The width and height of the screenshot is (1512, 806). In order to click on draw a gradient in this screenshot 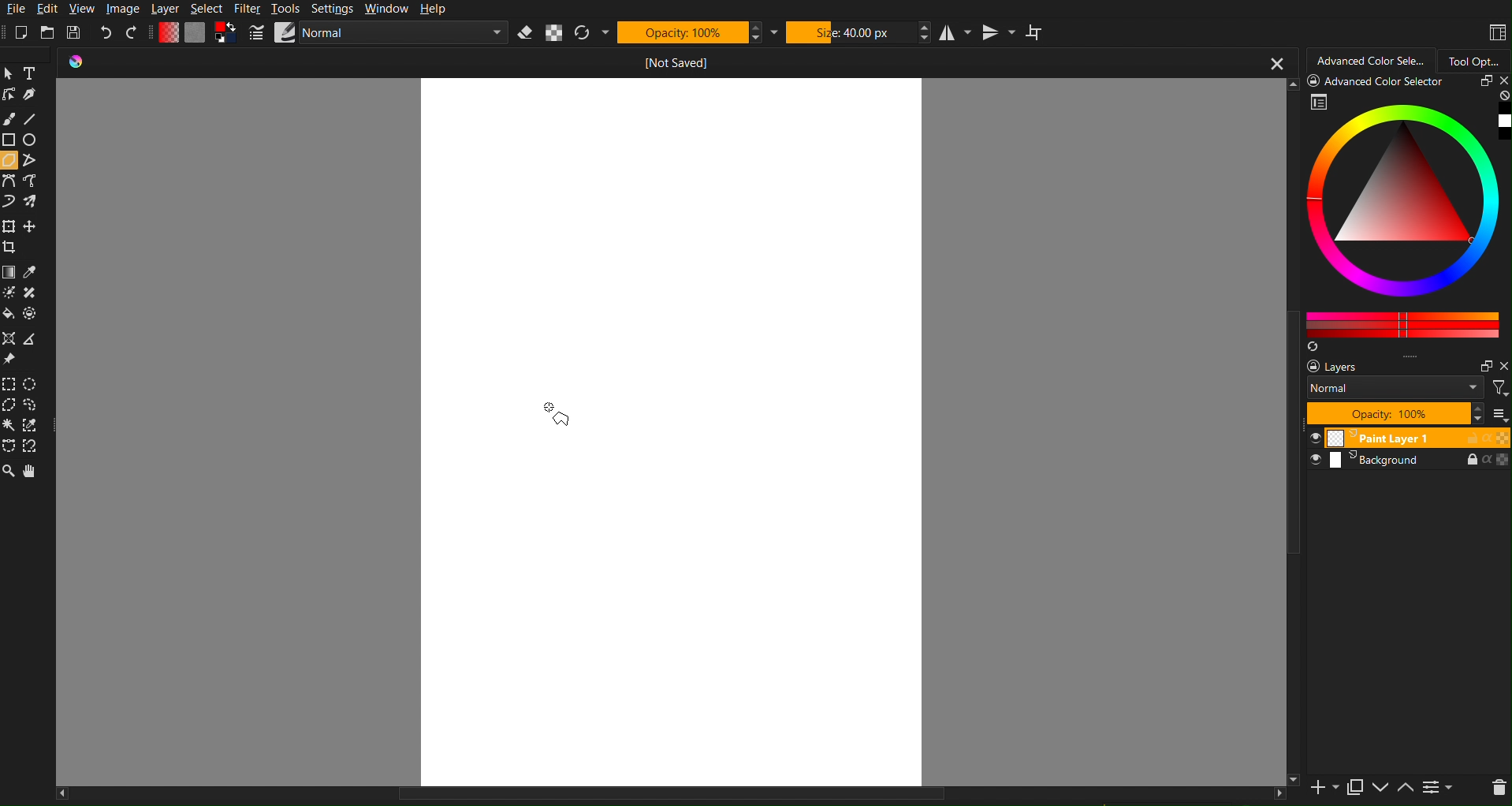, I will do `click(9, 271)`.